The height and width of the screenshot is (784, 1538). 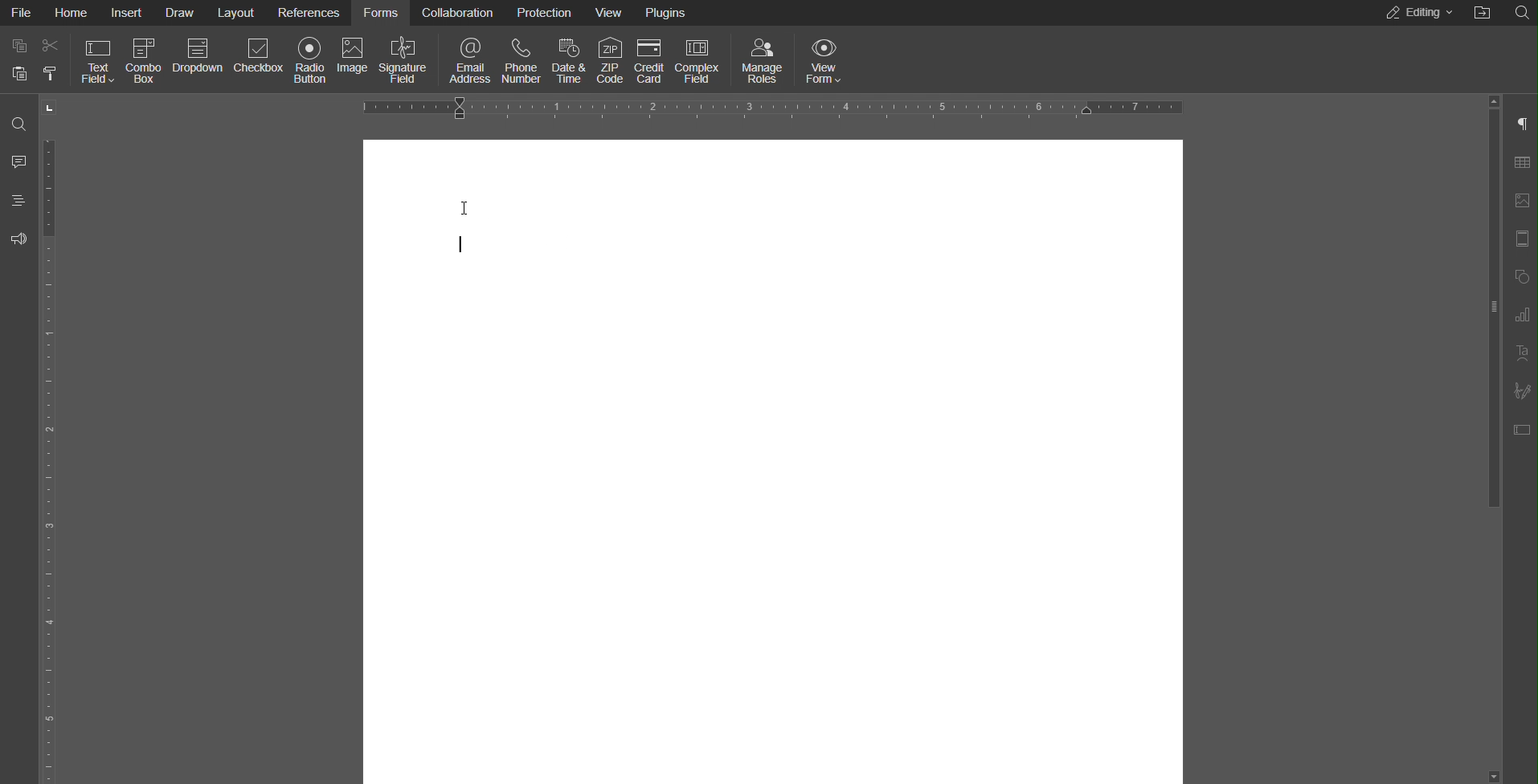 What do you see at coordinates (308, 61) in the screenshot?
I see `Radio Button` at bounding box center [308, 61].